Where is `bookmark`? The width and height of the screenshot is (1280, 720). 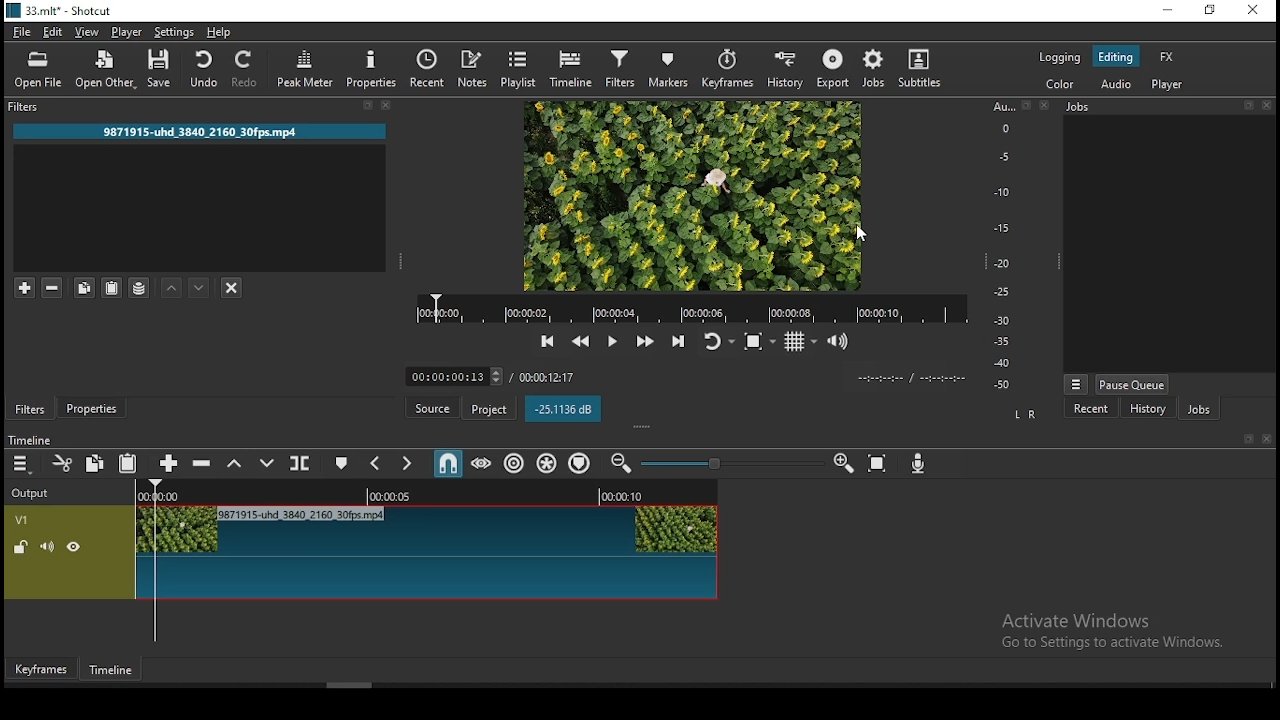
bookmark is located at coordinates (1245, 439).